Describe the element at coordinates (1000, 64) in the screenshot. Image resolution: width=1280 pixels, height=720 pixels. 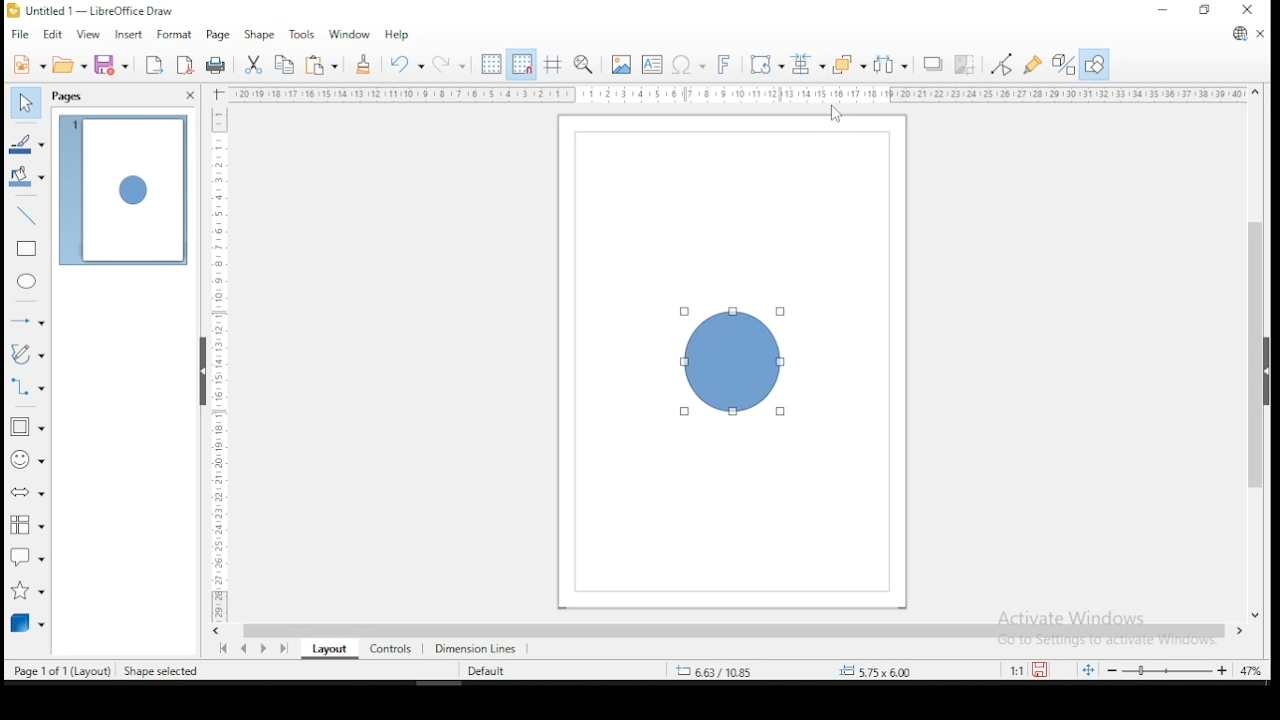
I see `toggle point edit mode` at that location.